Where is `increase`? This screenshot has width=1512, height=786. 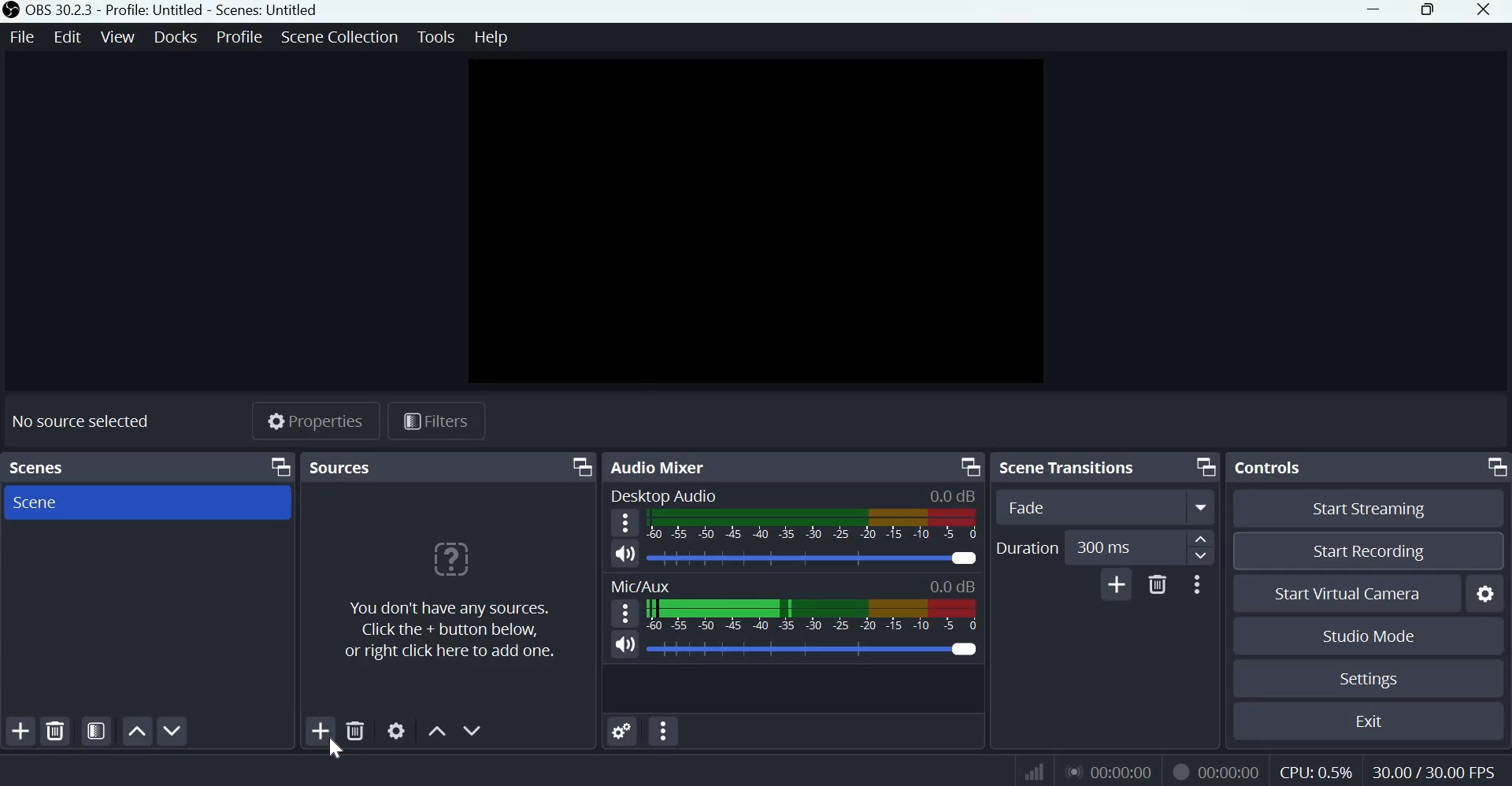 increase is located at coordinates (1206, 539).